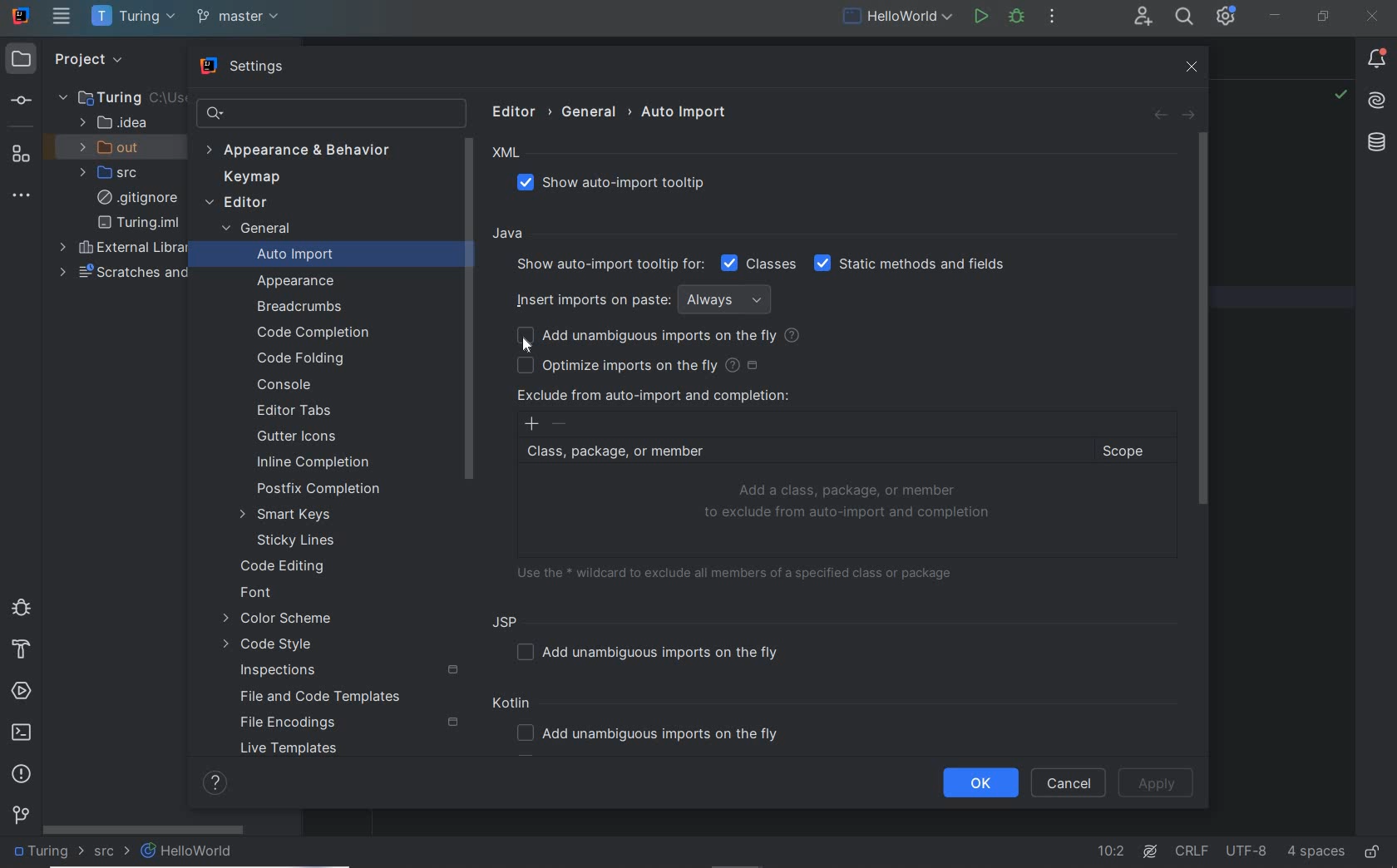 This screenshot has width=1397, height=868. I want to click on POSTFIX COMPLETION, so click(320, 489).